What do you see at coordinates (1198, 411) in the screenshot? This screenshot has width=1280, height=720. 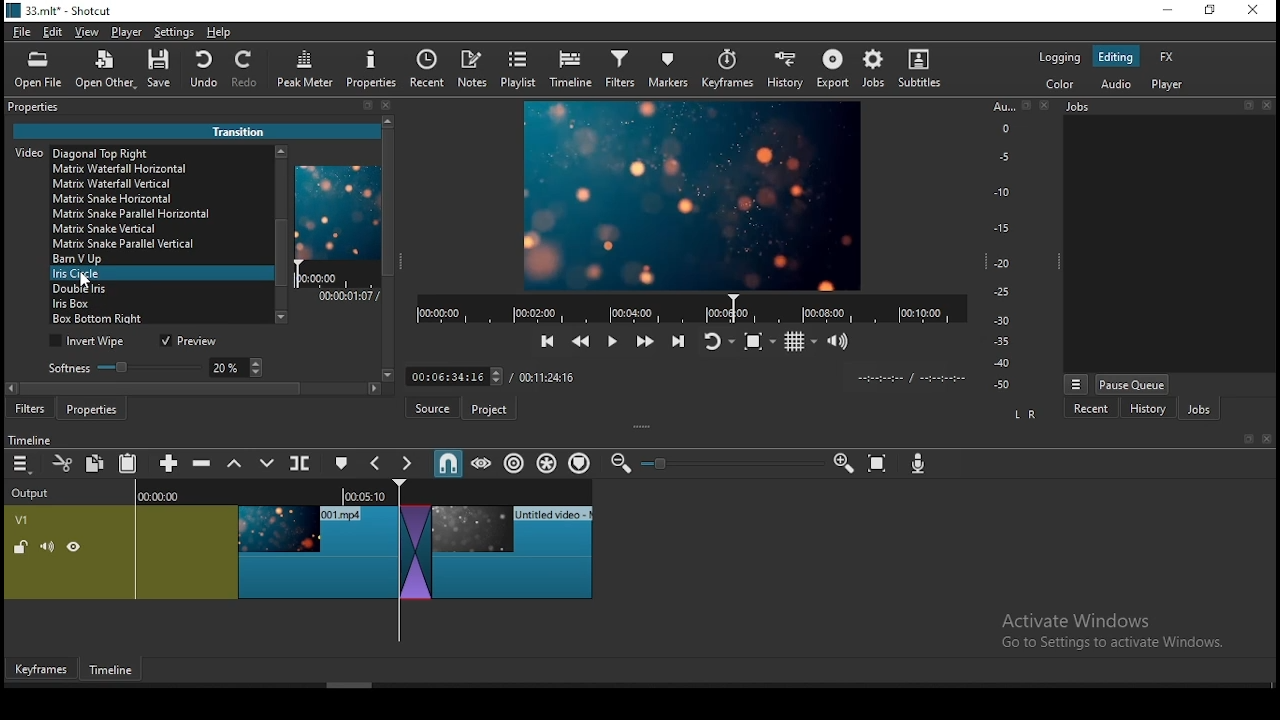 I see `jobs` at bounding box center [1198, 411].